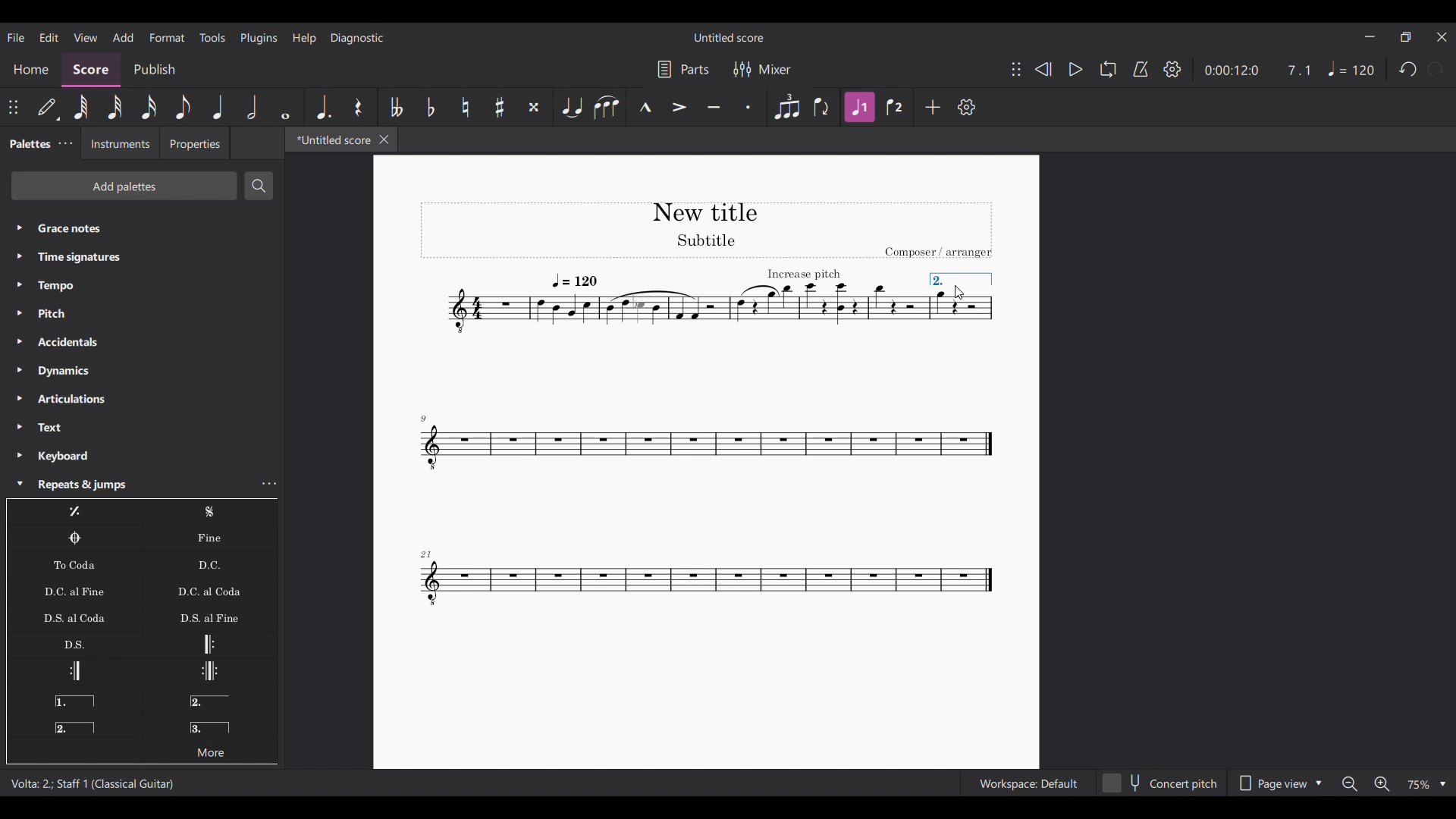  I want to click on Accent, so click(680, 108).